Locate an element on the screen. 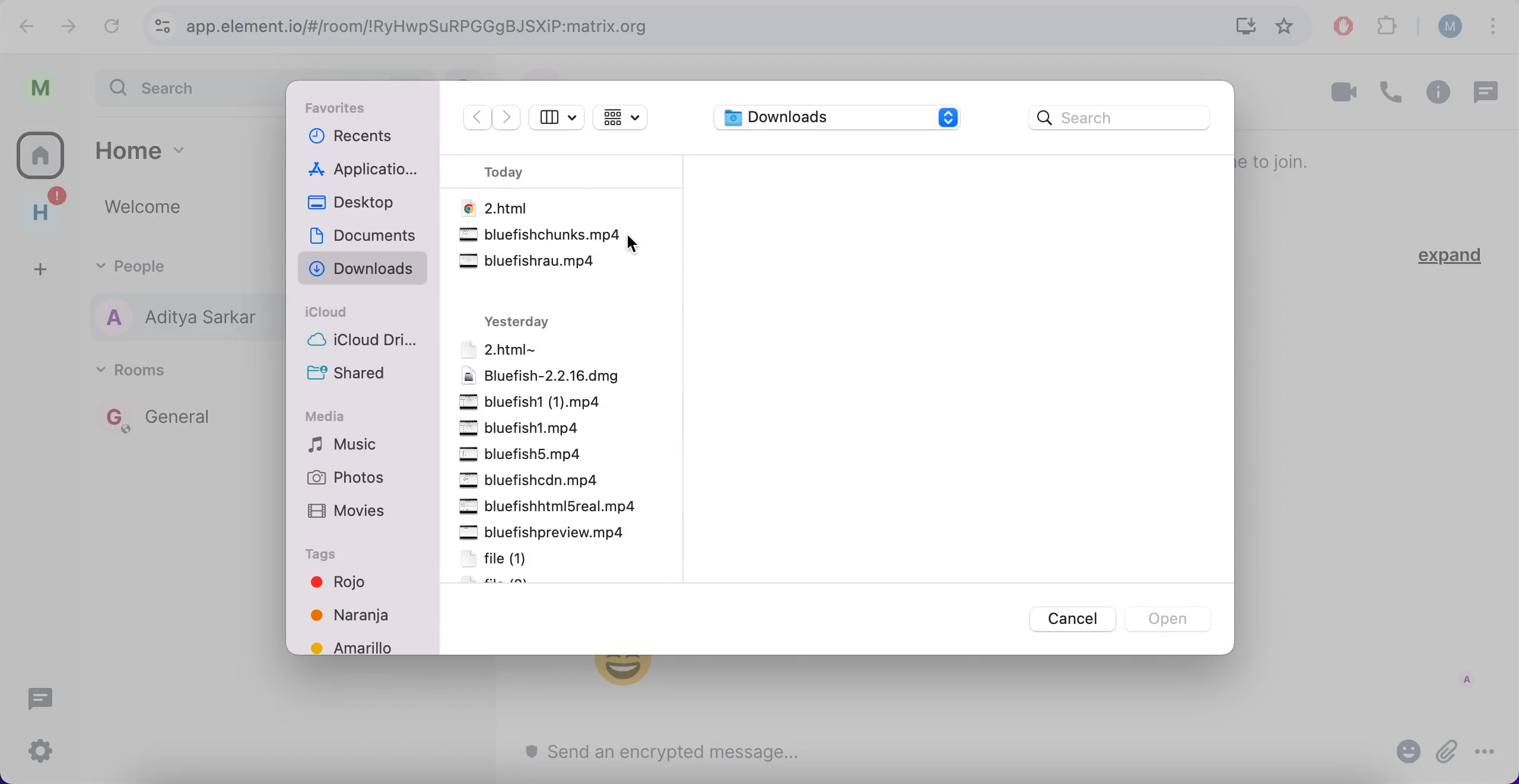 The image size is (1519, 784). undo is located at coordinates (32, 26).